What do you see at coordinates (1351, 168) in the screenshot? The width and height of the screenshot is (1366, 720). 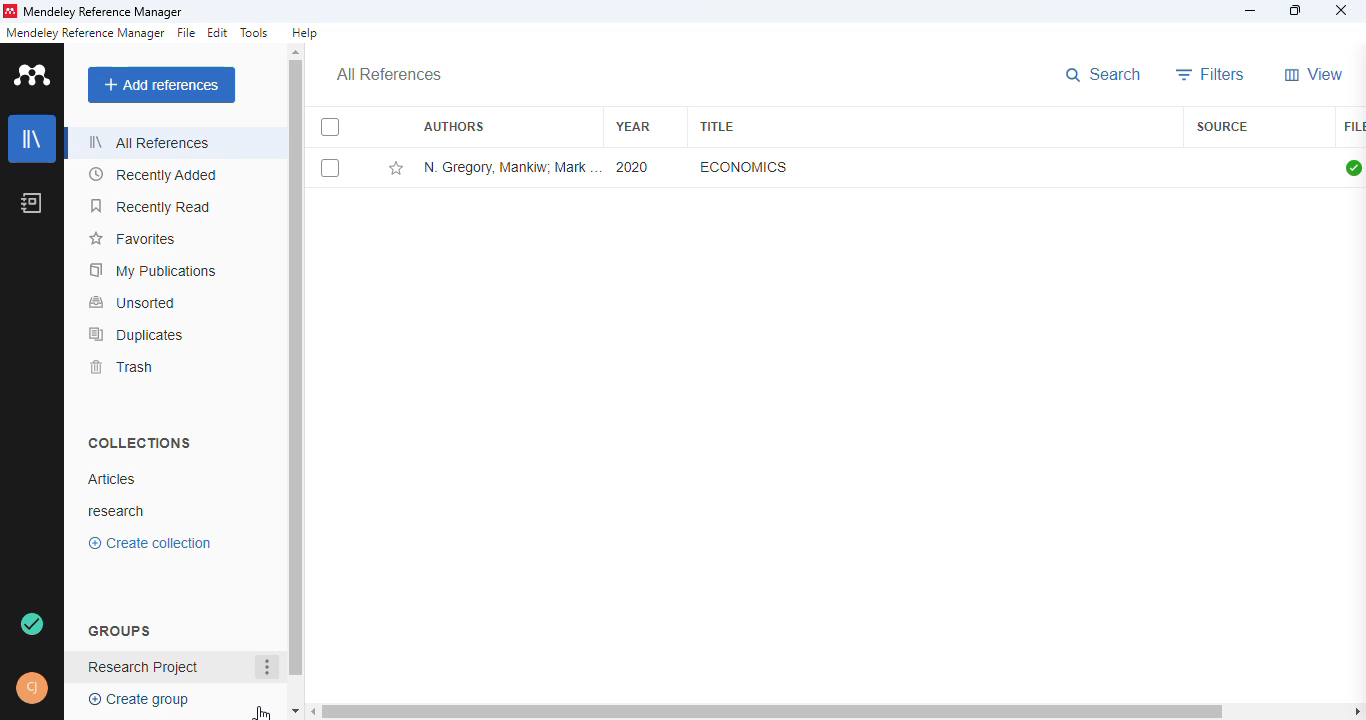 I see `all files downloaded` at bounding box center [1351, 168].